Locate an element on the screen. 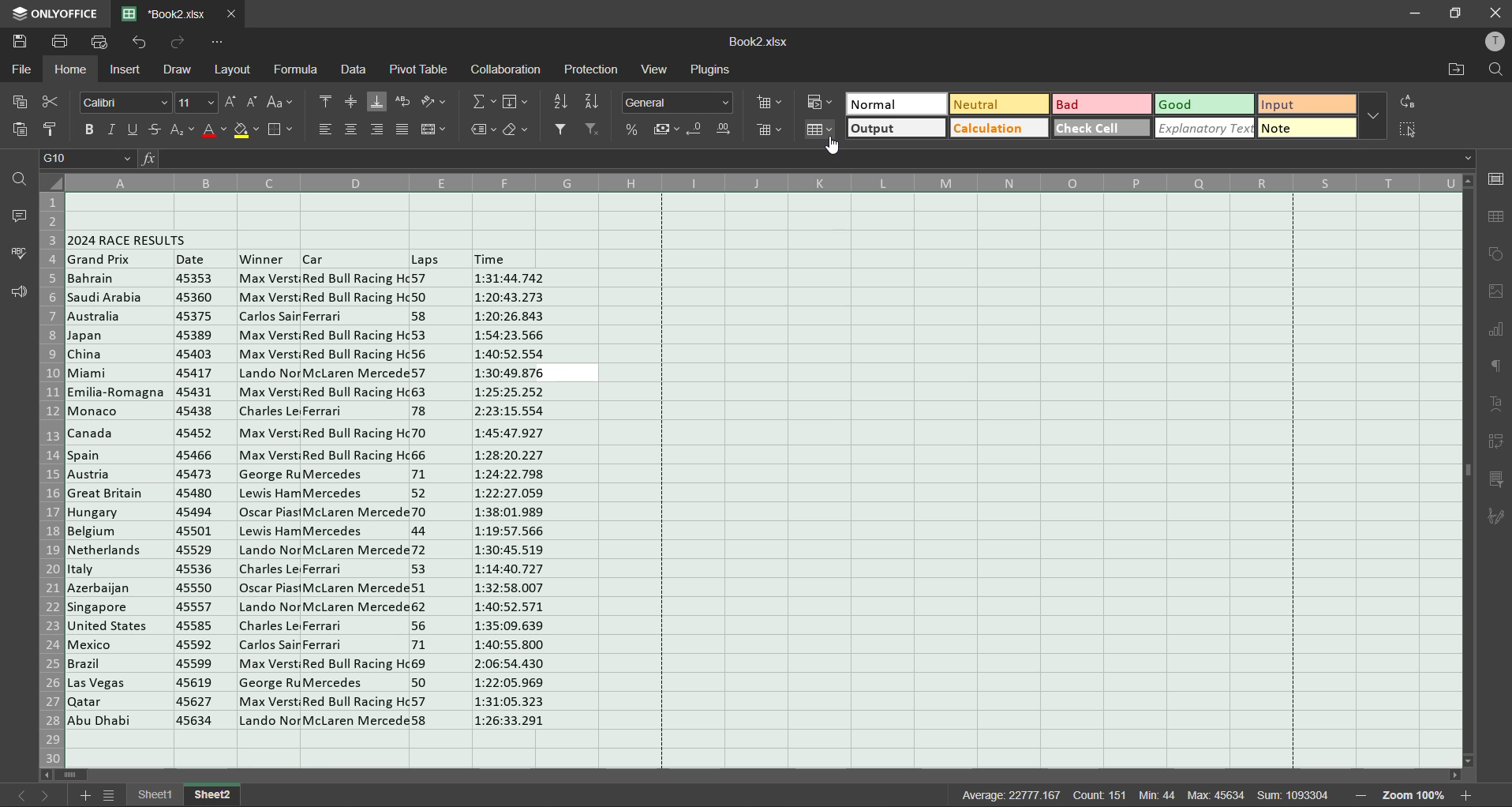 This screenshot has height=807, width=1512. shapes is located at coordinates (1495, 258).